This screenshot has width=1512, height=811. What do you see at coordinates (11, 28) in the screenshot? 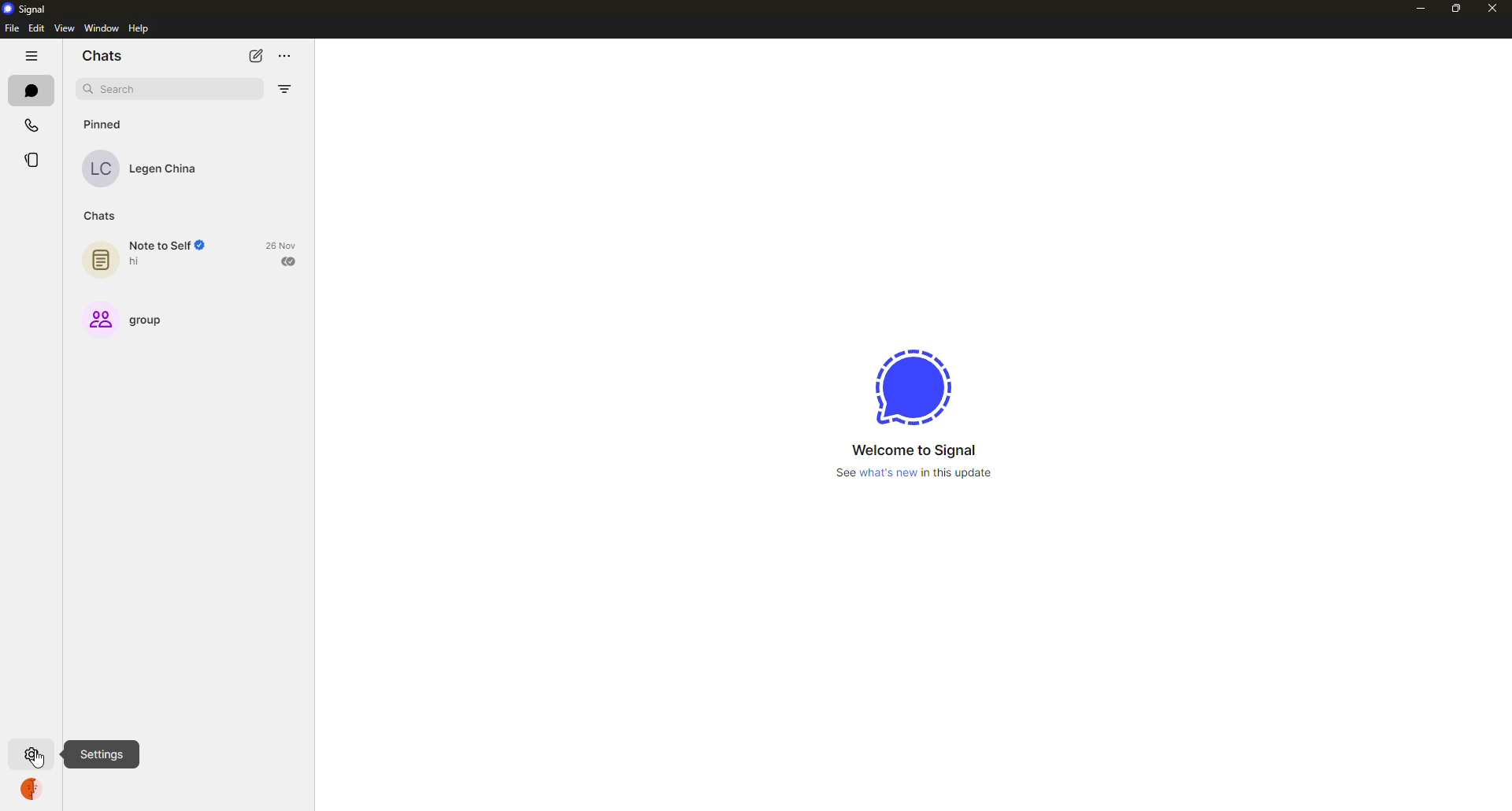
I see `file` at bounding box center [11, 28].